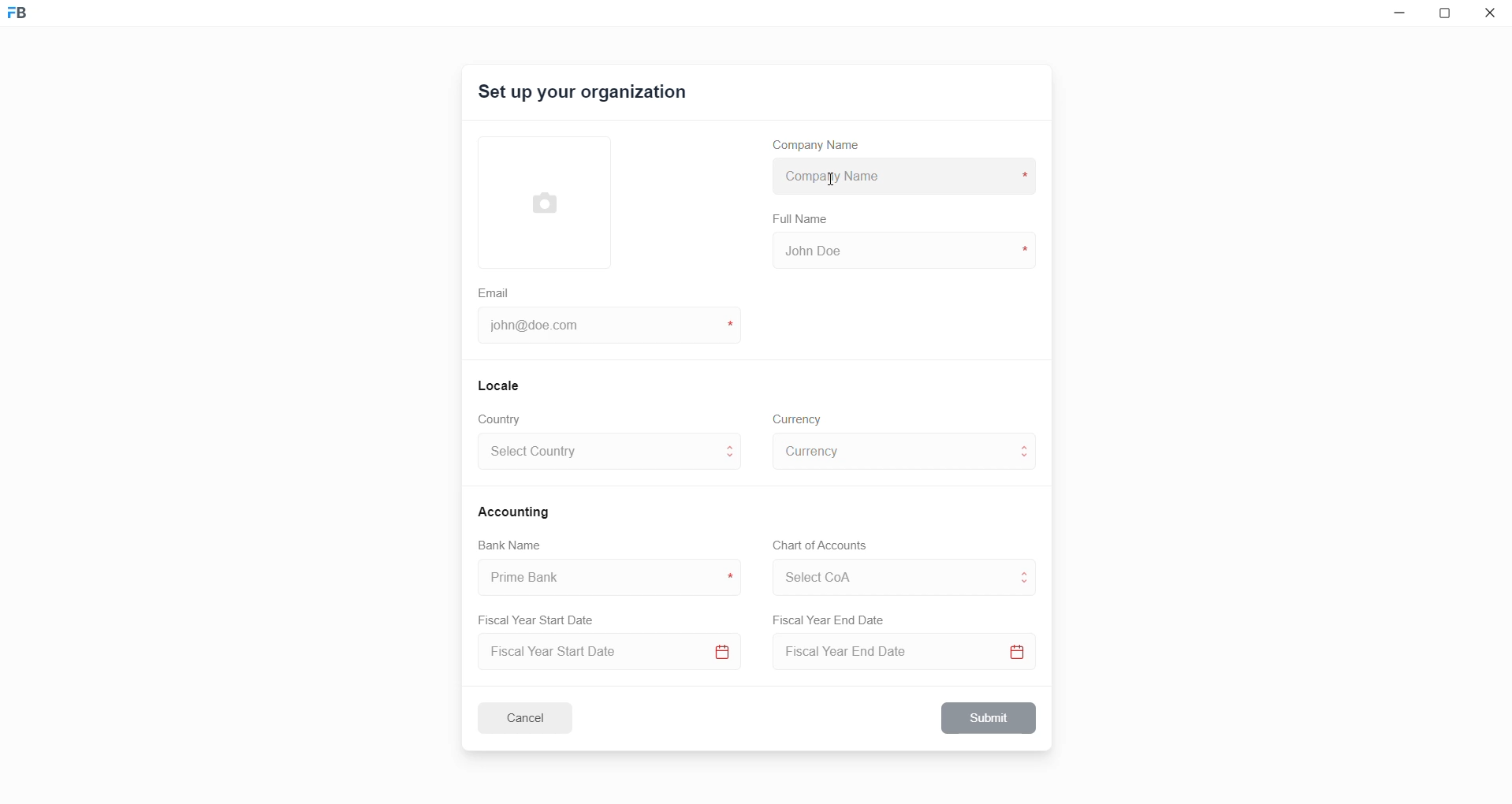  Describe the element at coordinates (833, 181) in the screenshot. I see `cursor` at that location.